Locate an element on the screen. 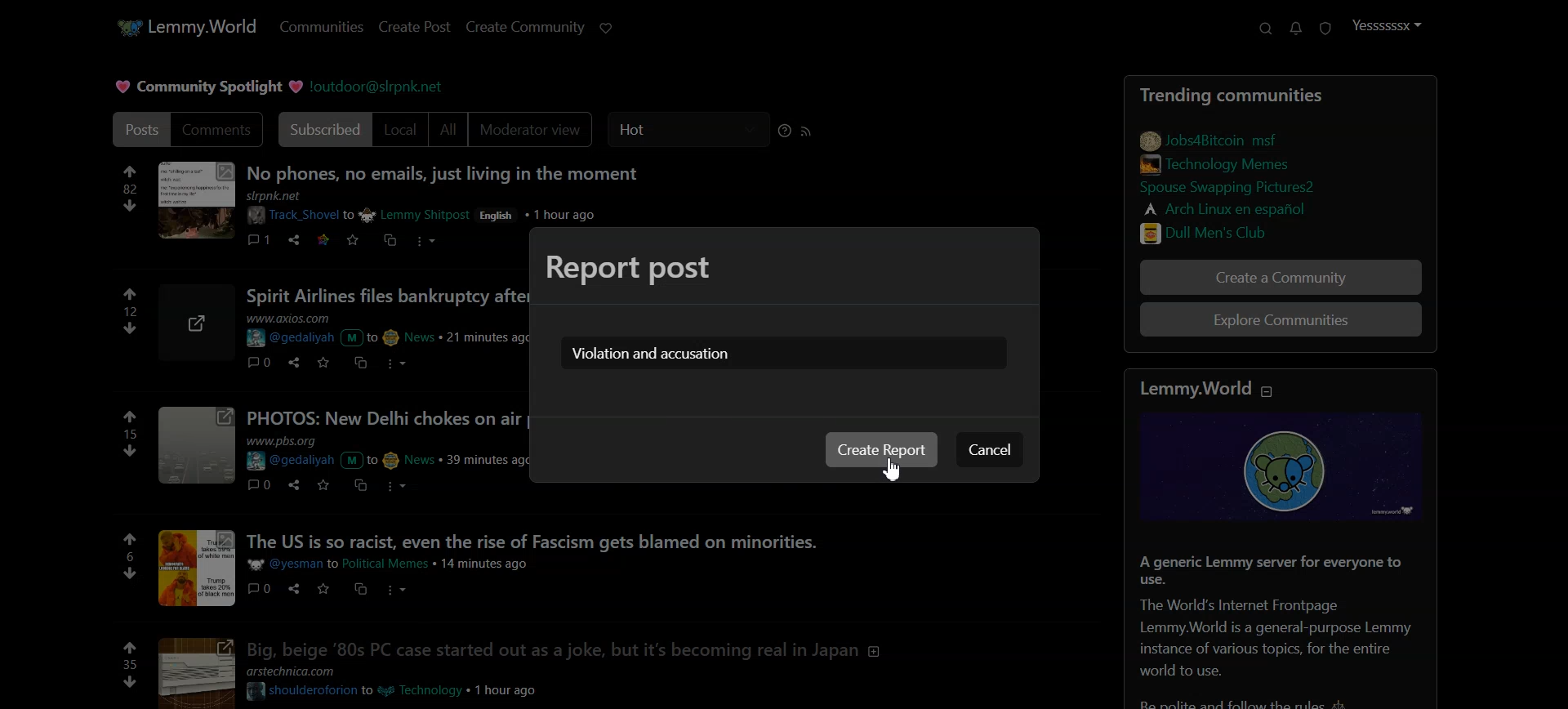  cross post is located at coordinates (359, 362).